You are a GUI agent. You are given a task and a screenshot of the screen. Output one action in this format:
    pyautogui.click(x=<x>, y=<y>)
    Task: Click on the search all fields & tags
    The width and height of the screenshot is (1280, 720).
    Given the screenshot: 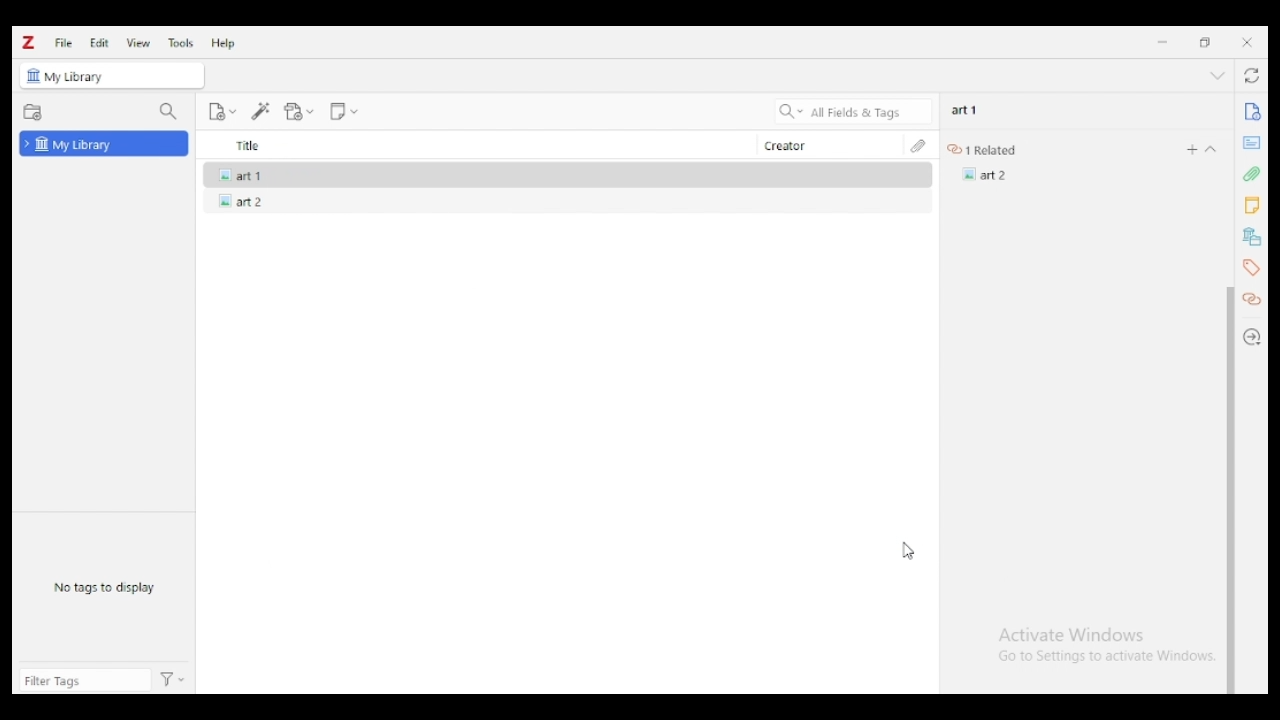 What is the action you would take?
    pyautogui.click(x=854, y=111)
    